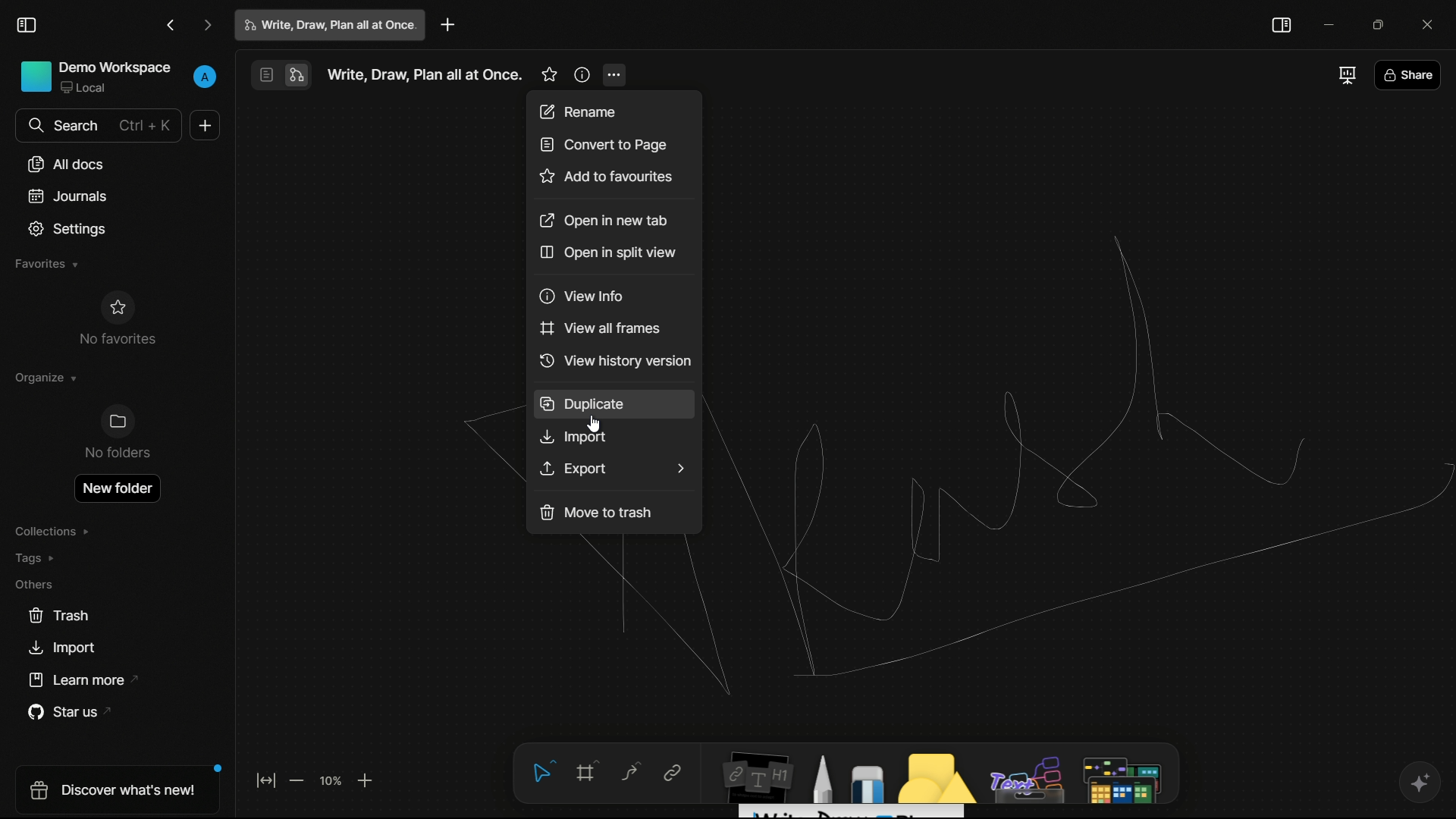 The height and width of the screenshot is (819, 1456). I want to click on No folder, so click(116, 453).